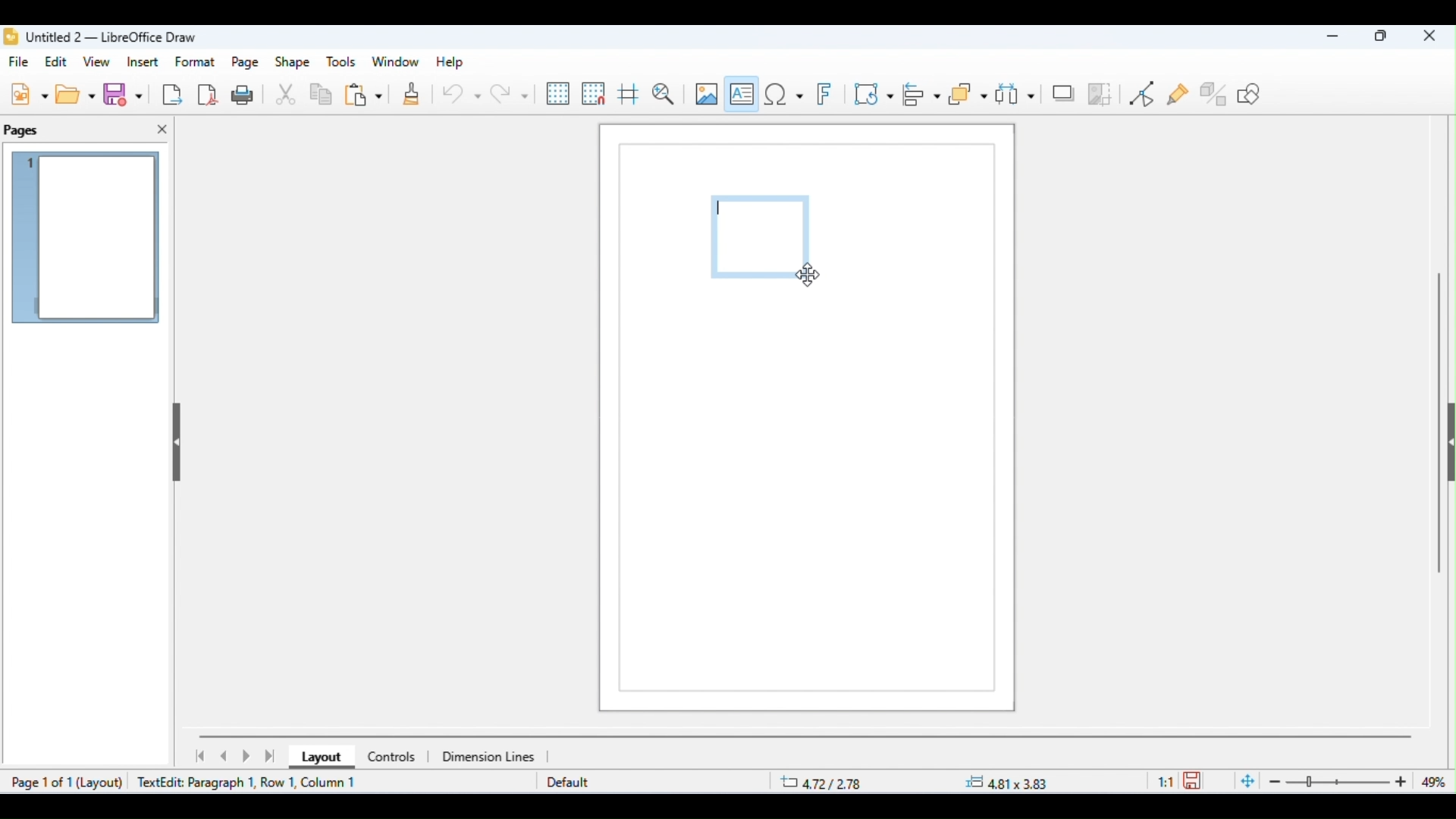  Describe the element at coordinates (461, 96) in the screenshot. I see `undo` at that location.